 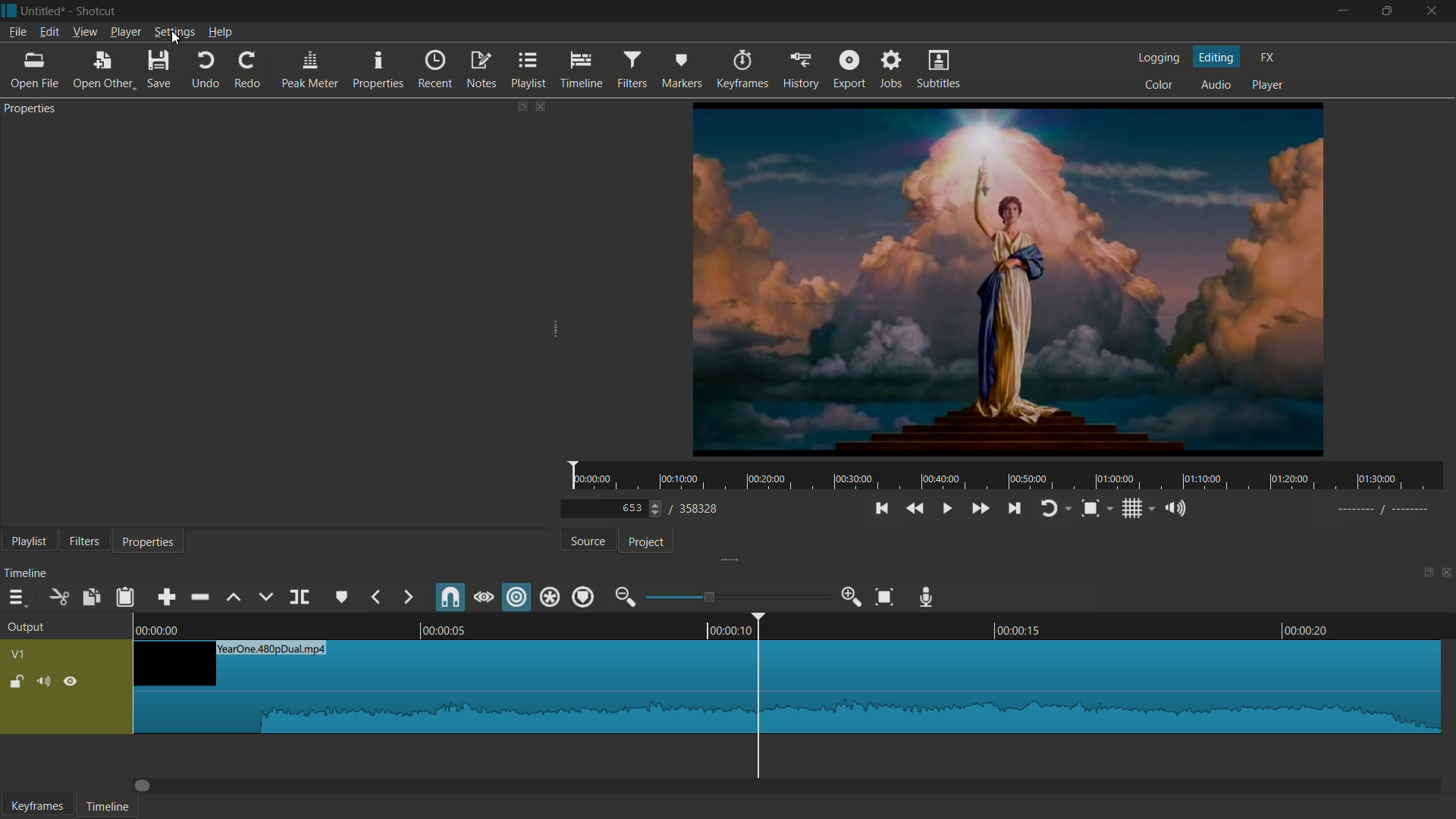 I want to click on split at playhead, so click(x=302, y=595).